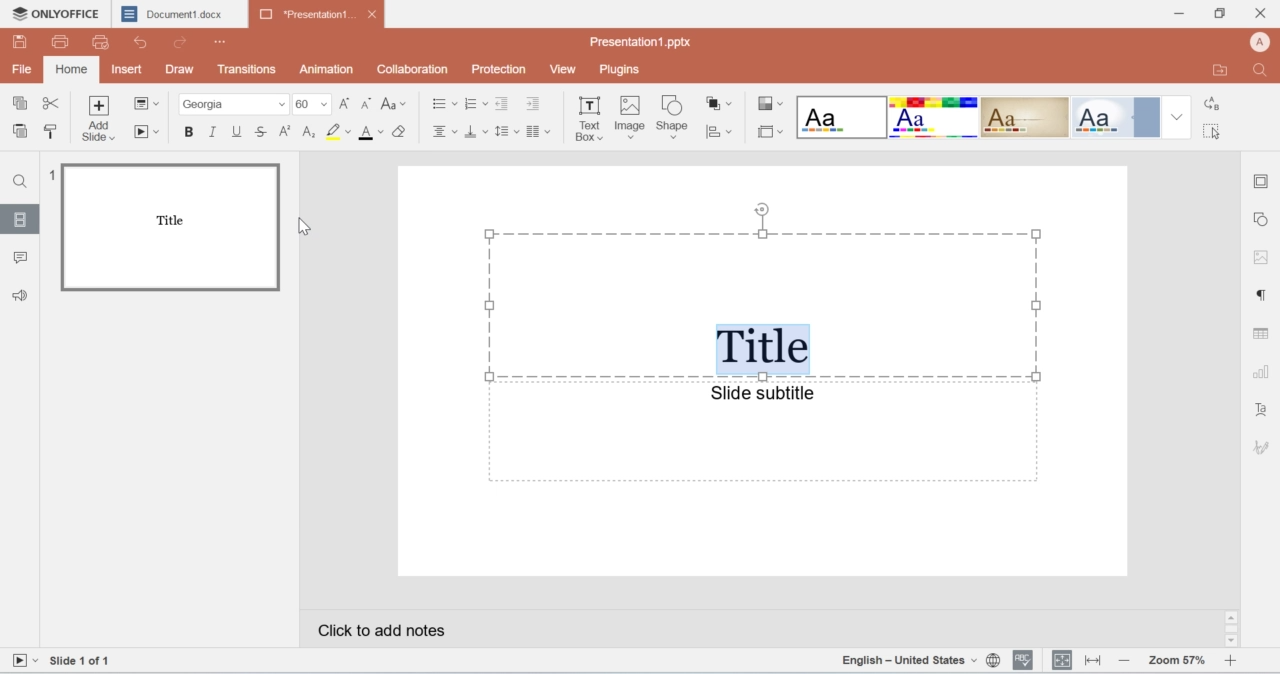  I want to click on plugins, so click(619, 70).